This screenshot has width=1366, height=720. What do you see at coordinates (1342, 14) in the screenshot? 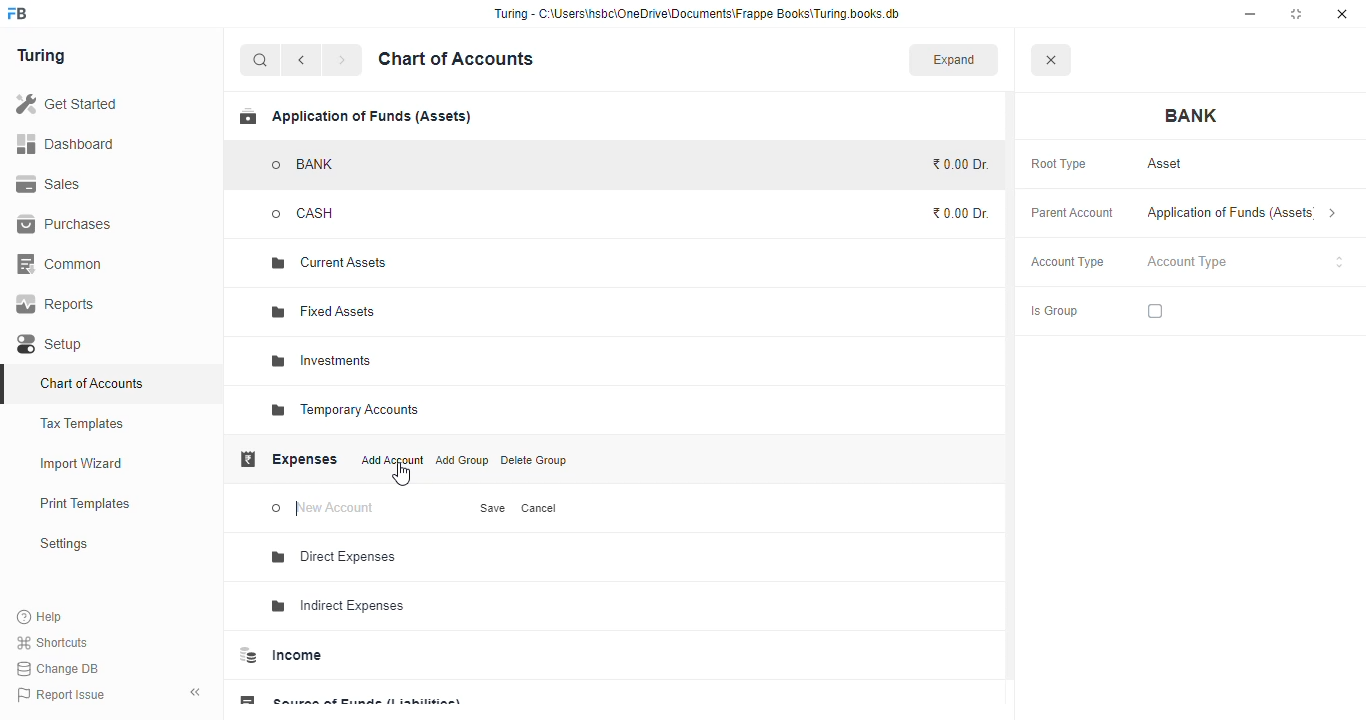
I see `close` at bounding box center [1342, 14].